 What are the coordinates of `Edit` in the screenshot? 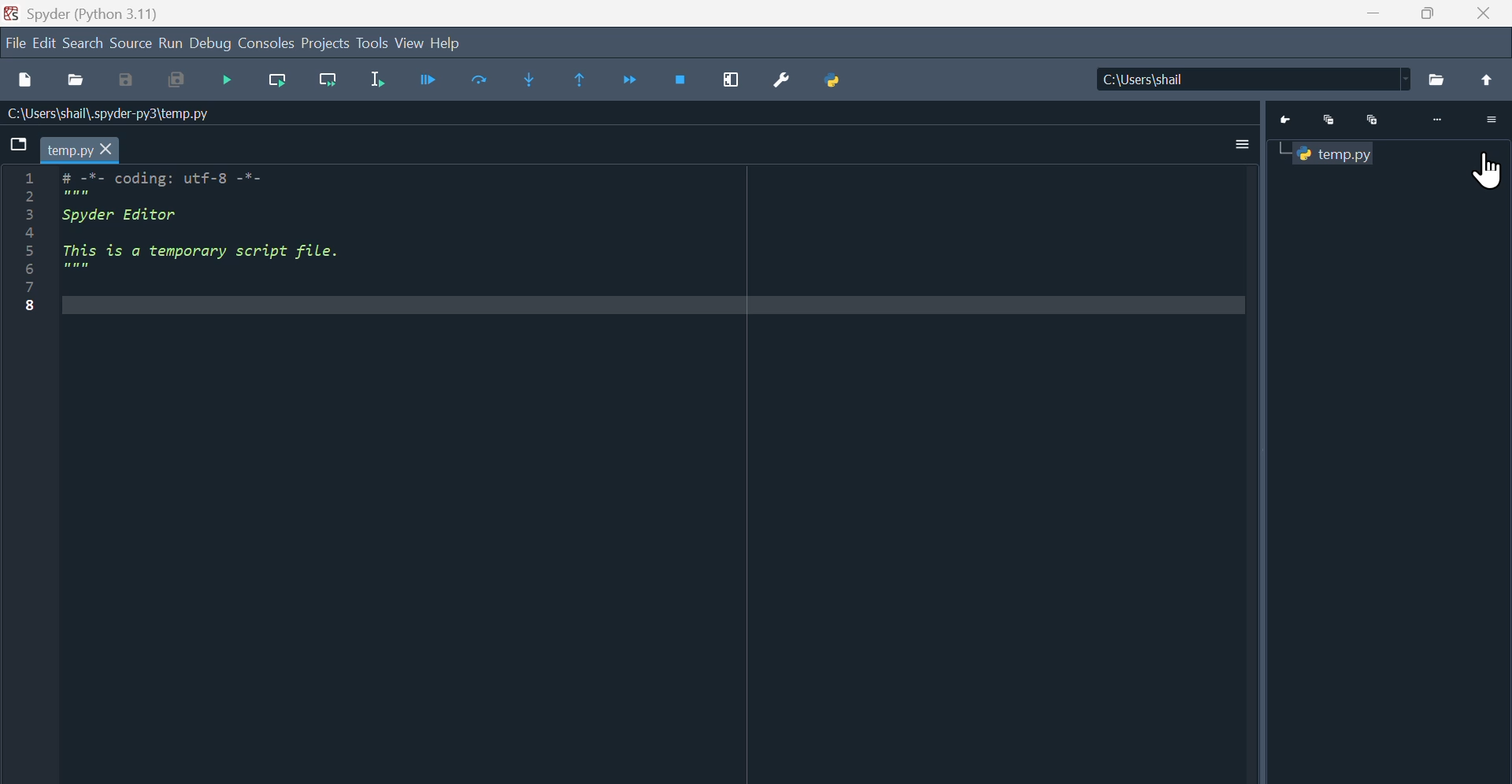 It's located at (45, 44).